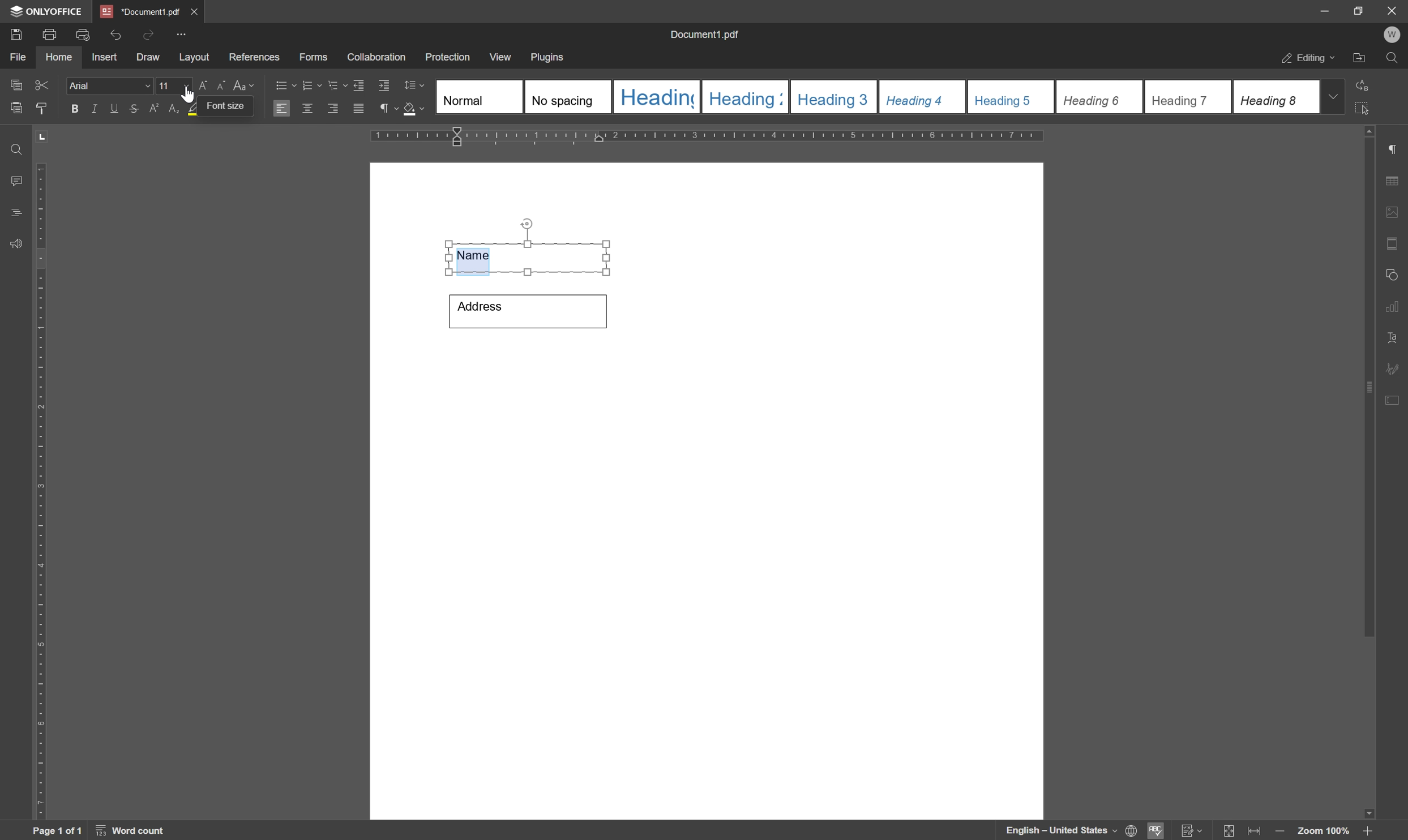 The image size is (1408, 840). I want to click on table settings, so click(1396, 182).